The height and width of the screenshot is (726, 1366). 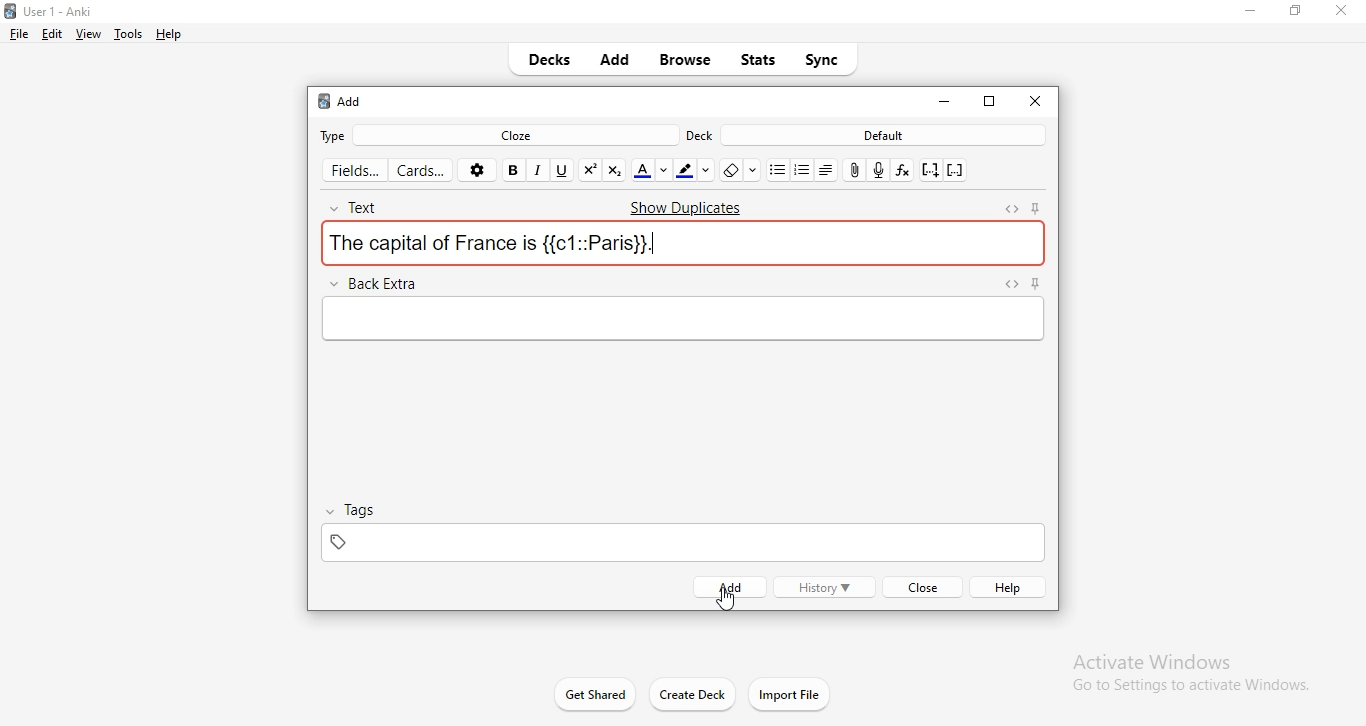 I want to click on text box, so click(x=679, y=321).